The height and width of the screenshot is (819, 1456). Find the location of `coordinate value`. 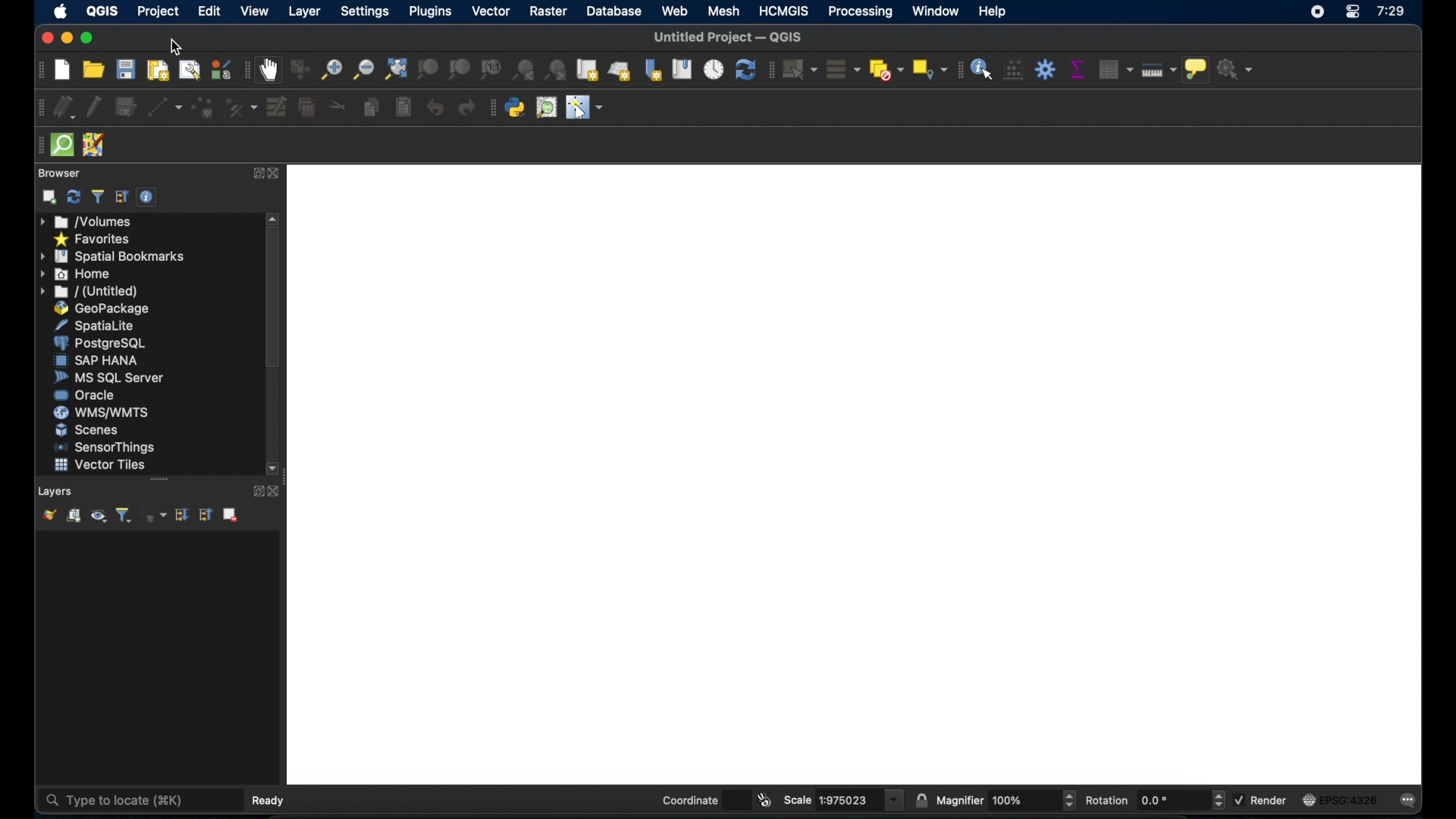

coordinate value is located at coordinates (736, 800).